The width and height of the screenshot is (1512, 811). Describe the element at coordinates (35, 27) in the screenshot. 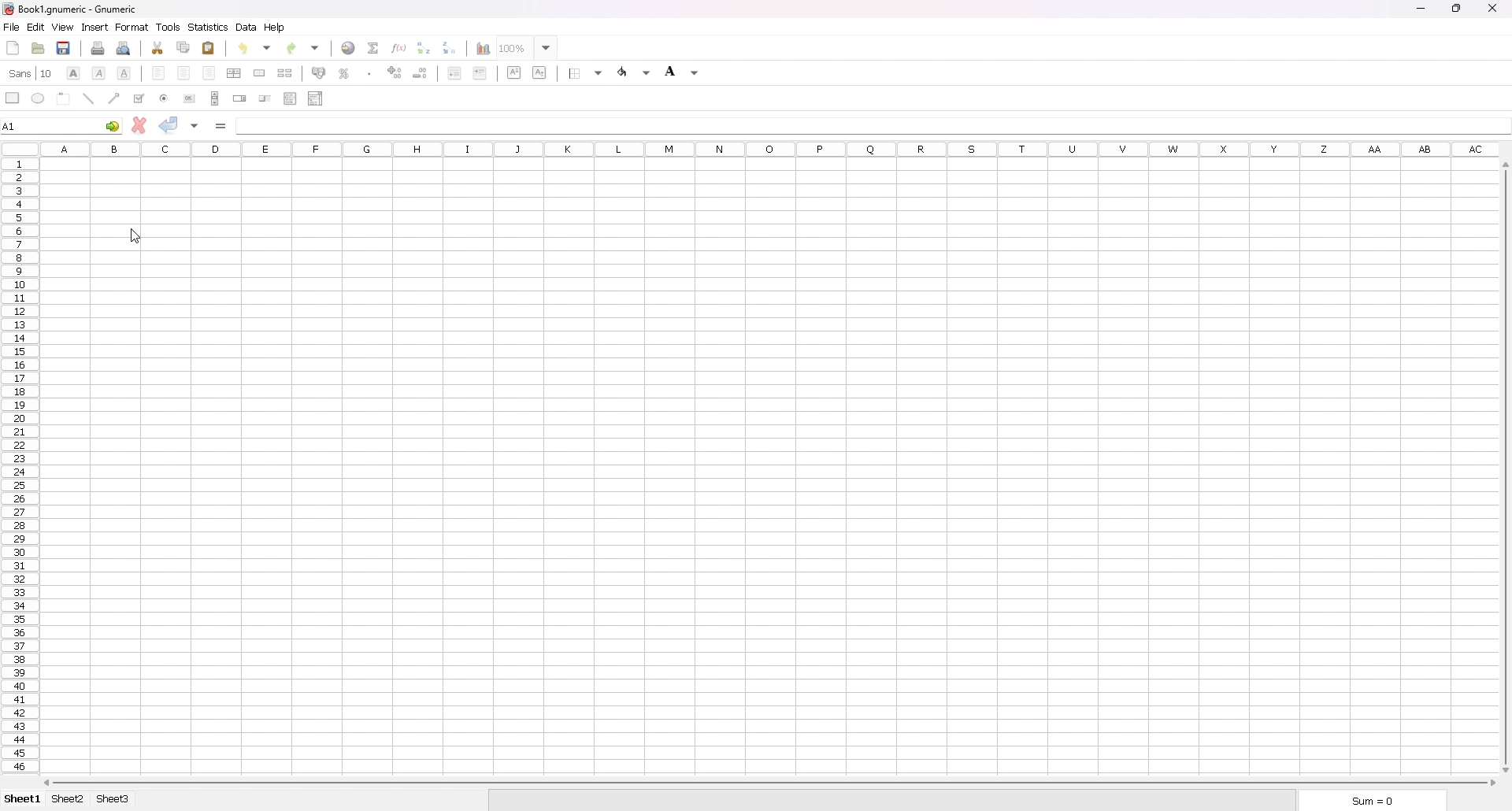

I see `edit` at that location.